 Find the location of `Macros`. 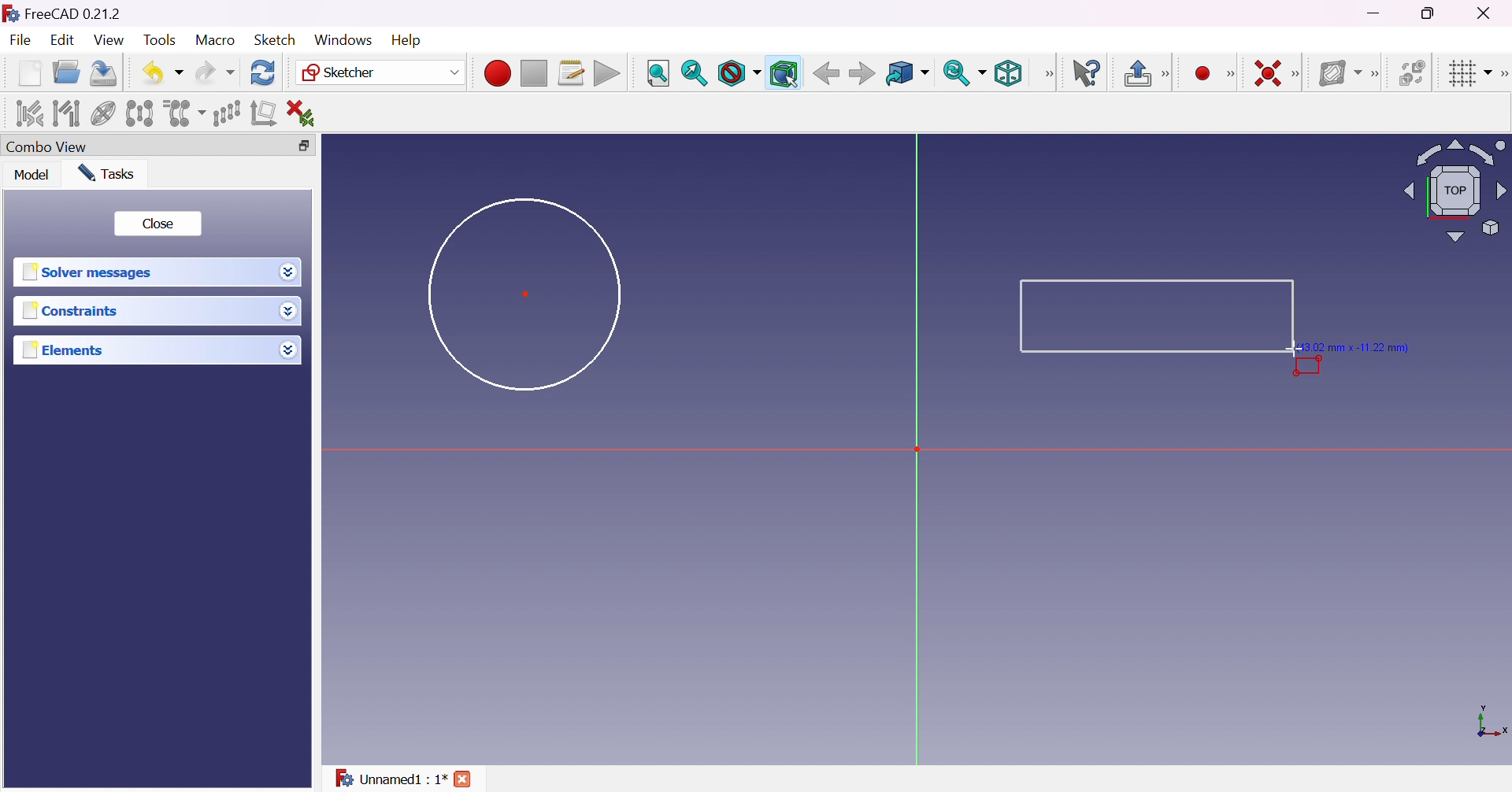

Macros is located at coordinates (572, 73).